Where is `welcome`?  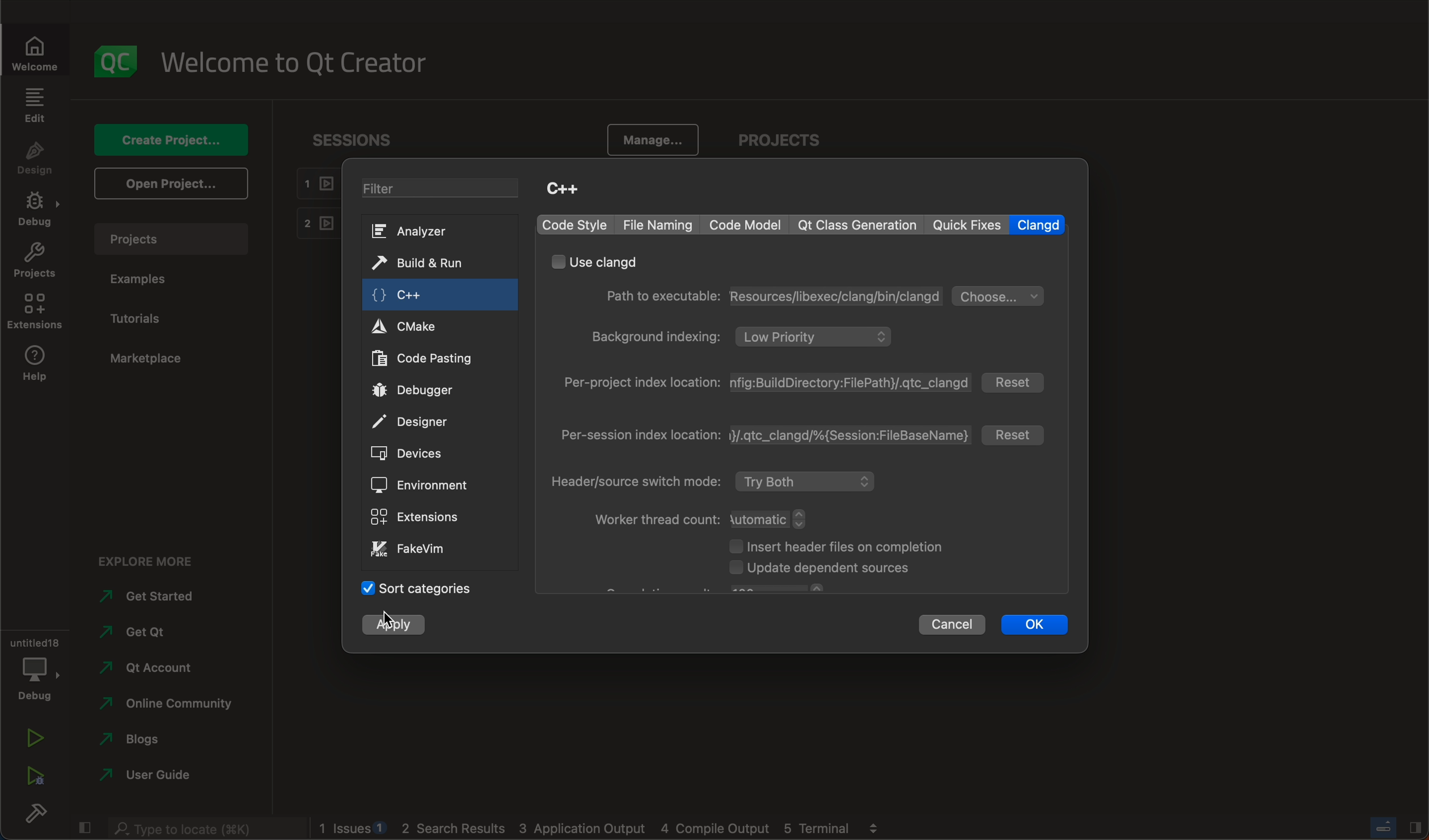 welcome is located at coordinates (37, 50).